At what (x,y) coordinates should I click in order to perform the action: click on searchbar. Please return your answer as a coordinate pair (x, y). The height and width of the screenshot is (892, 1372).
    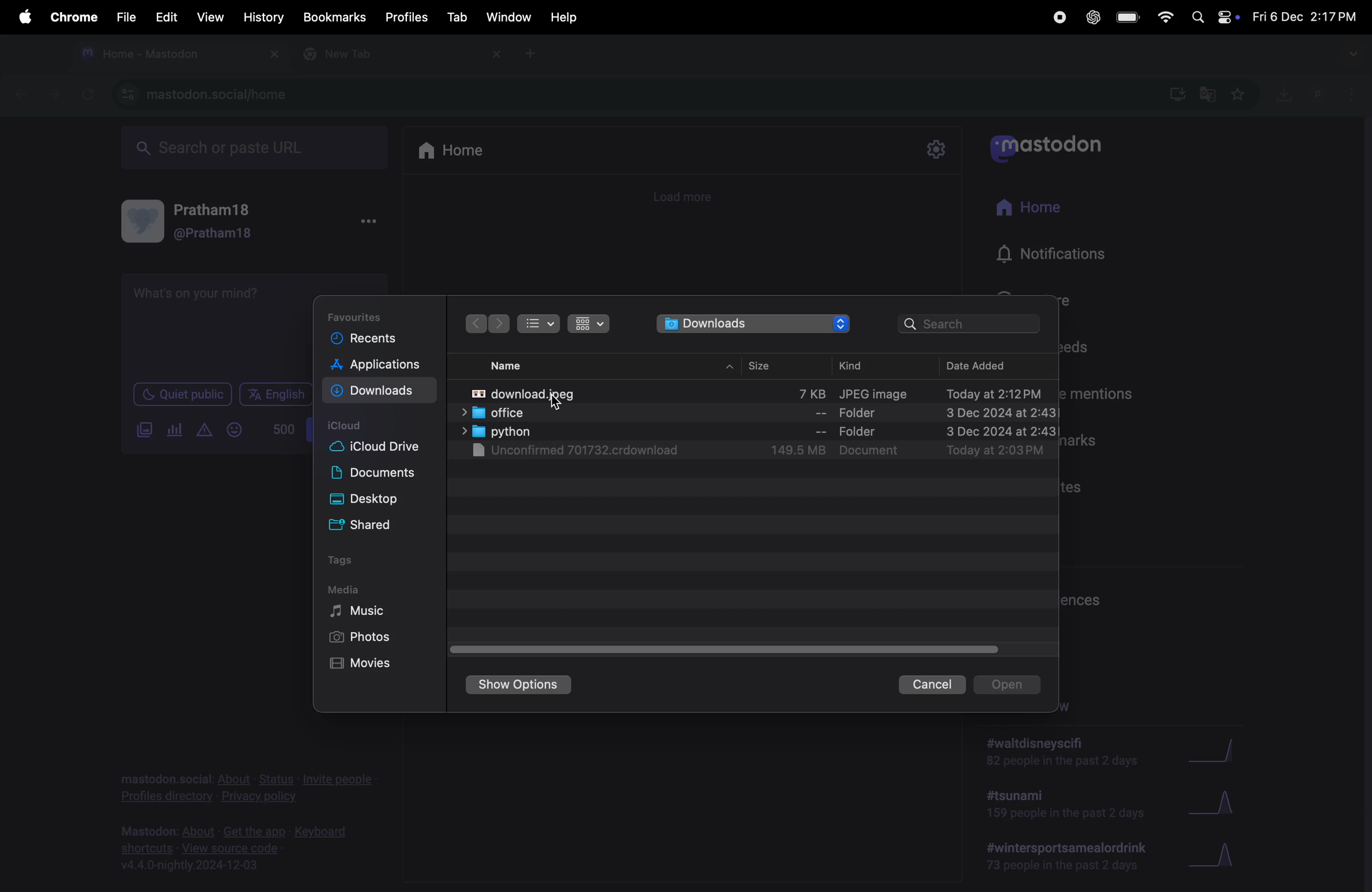
    Looking at the image, I should click on (972, 324).